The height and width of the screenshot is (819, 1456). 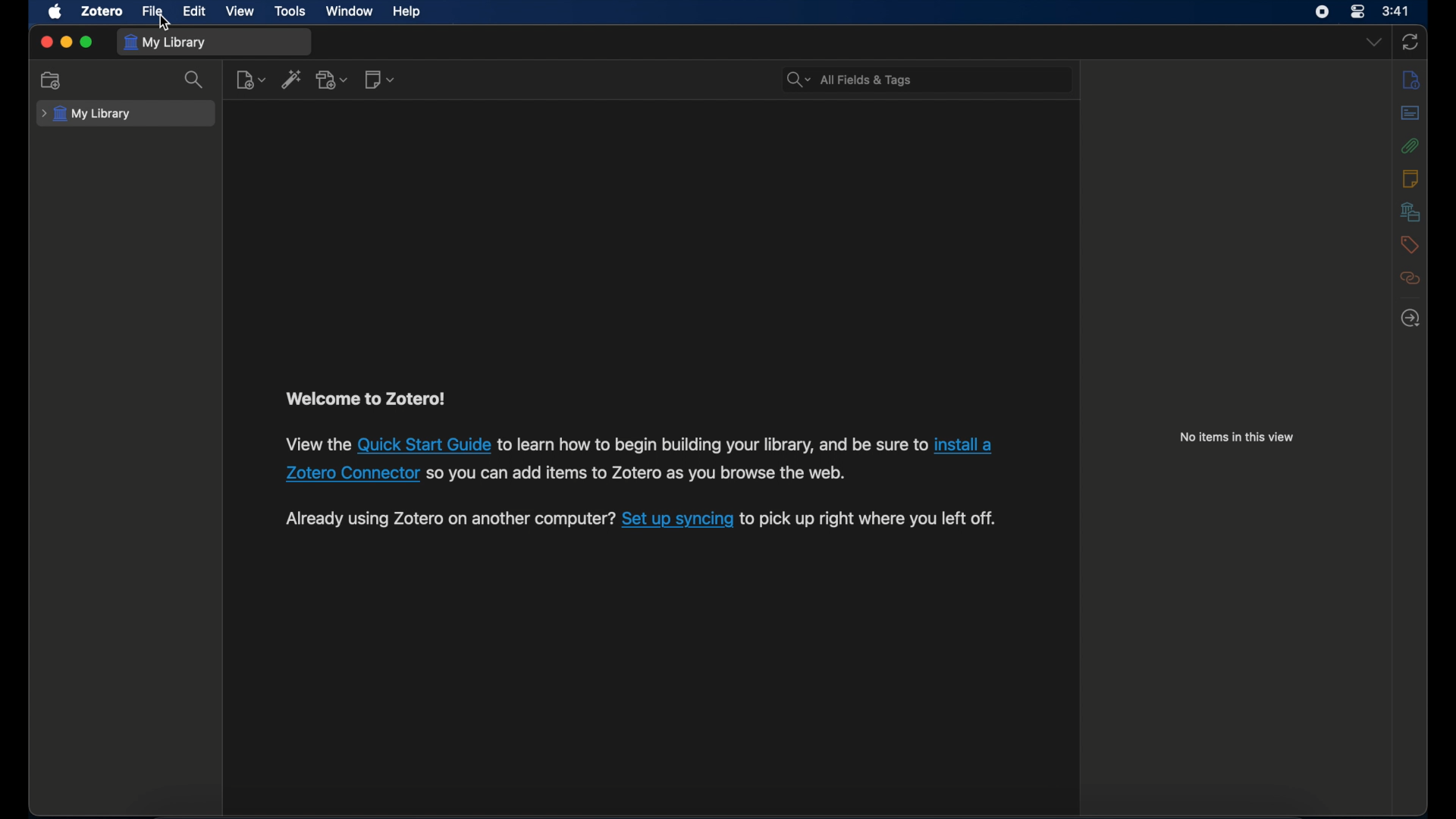 What do you see at coordinates (868, 519) in the screenshot?
I see `text` at bounding box center [868, 519].